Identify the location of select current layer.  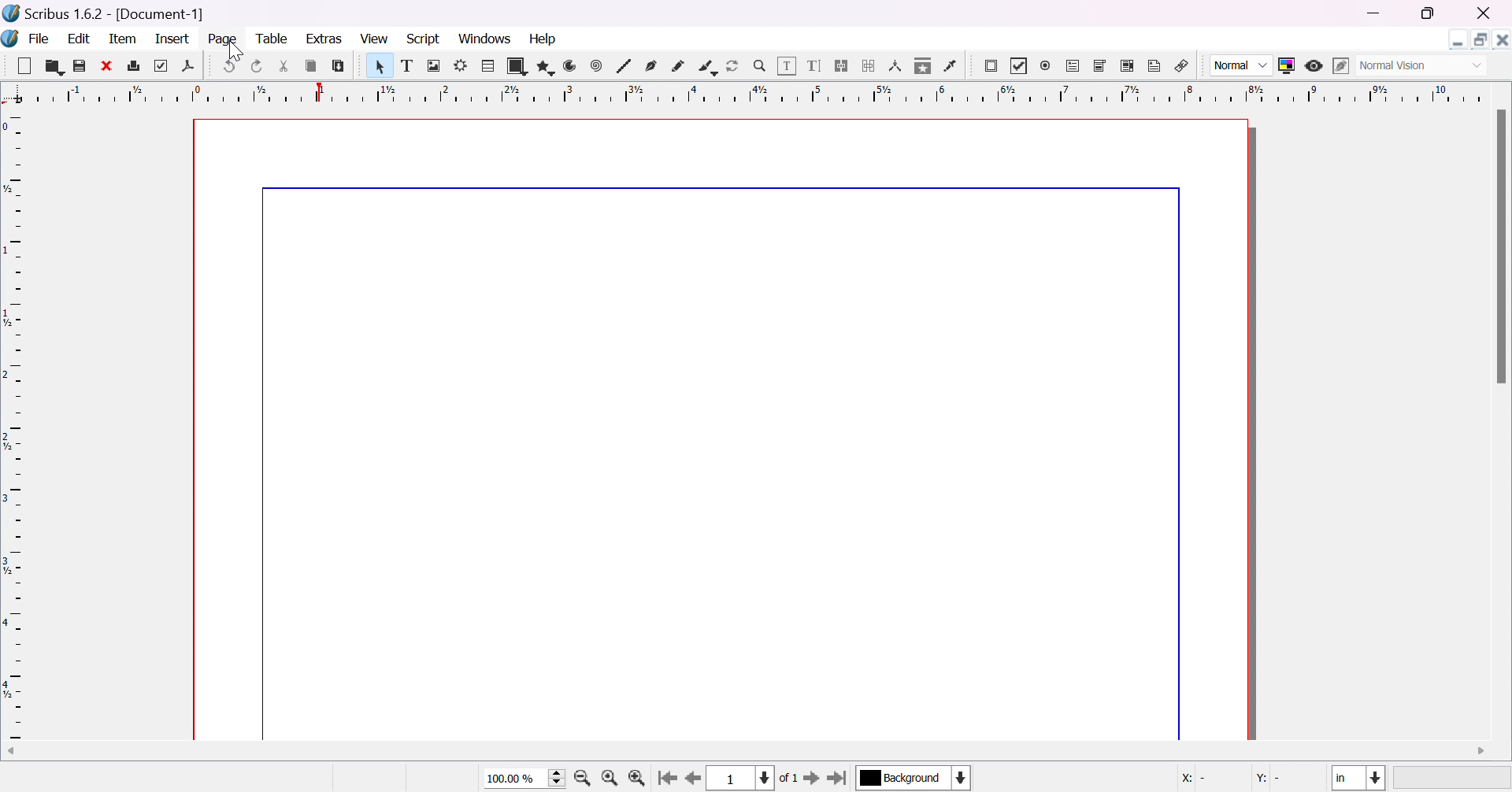
(902, 778).